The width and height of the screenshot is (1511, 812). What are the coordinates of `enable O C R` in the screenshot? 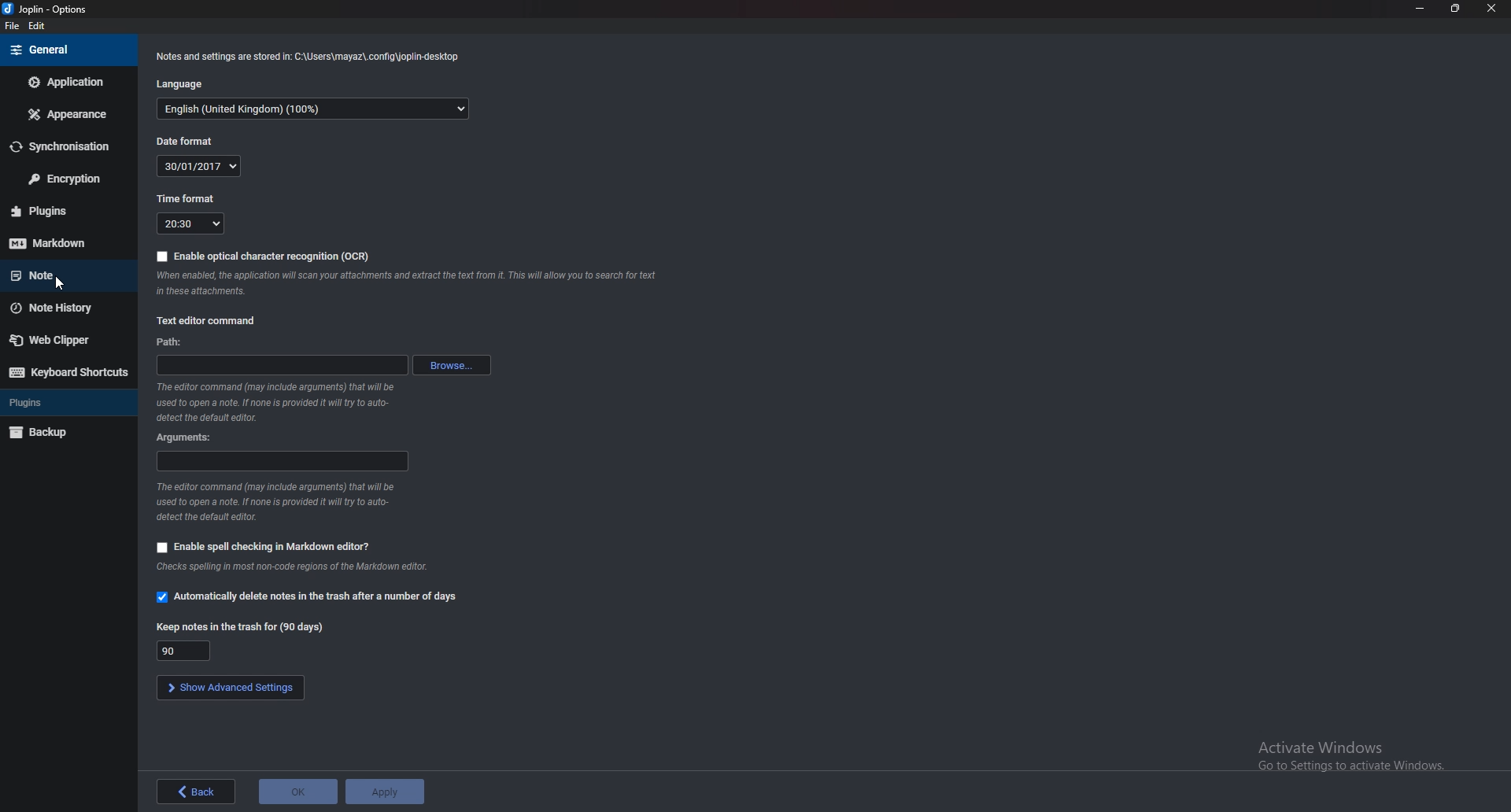 It's located at (271, 255).